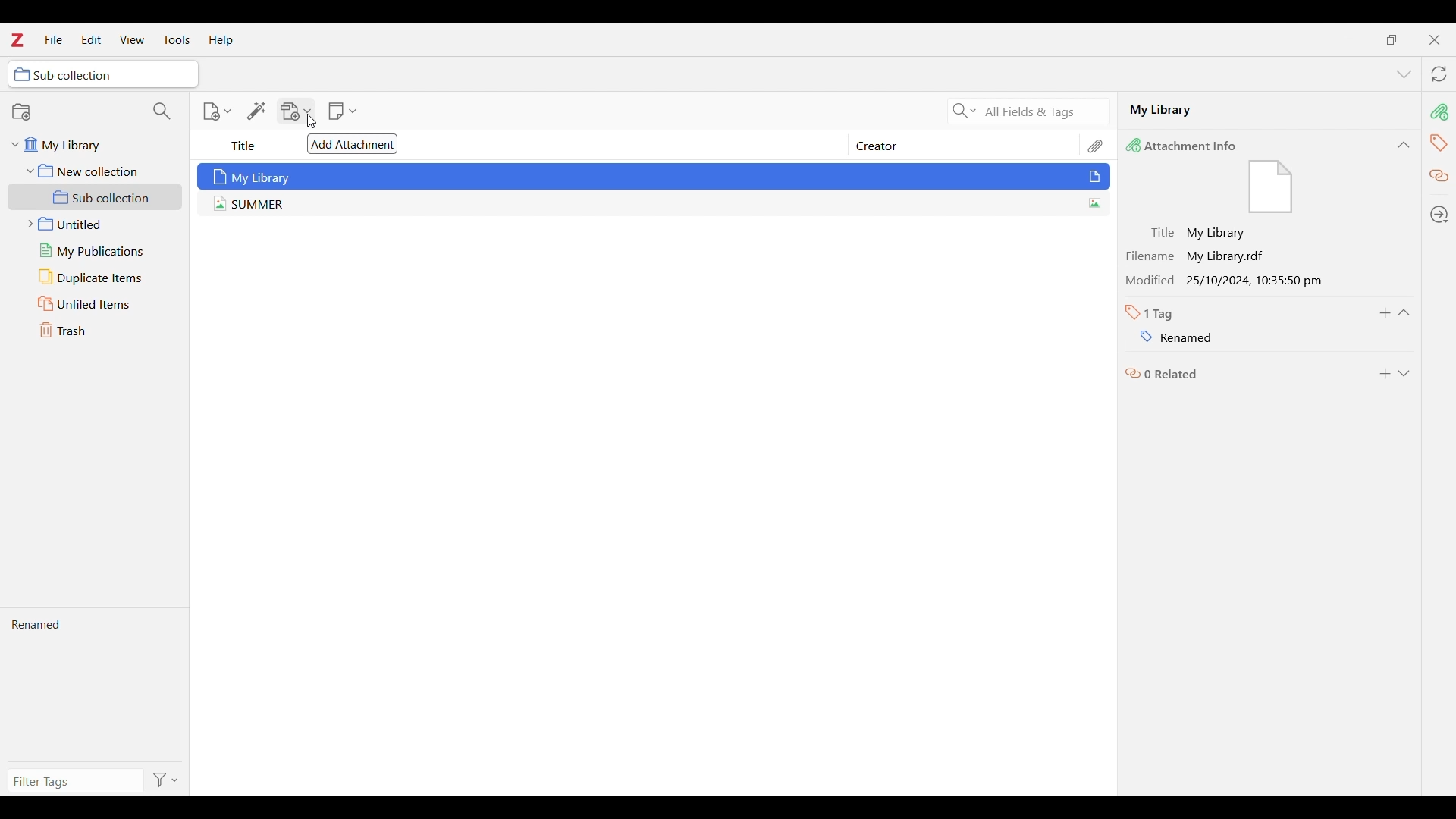 This screenshot has height=819, width=1456. I want to click on My publications folder, so click(99, 251).